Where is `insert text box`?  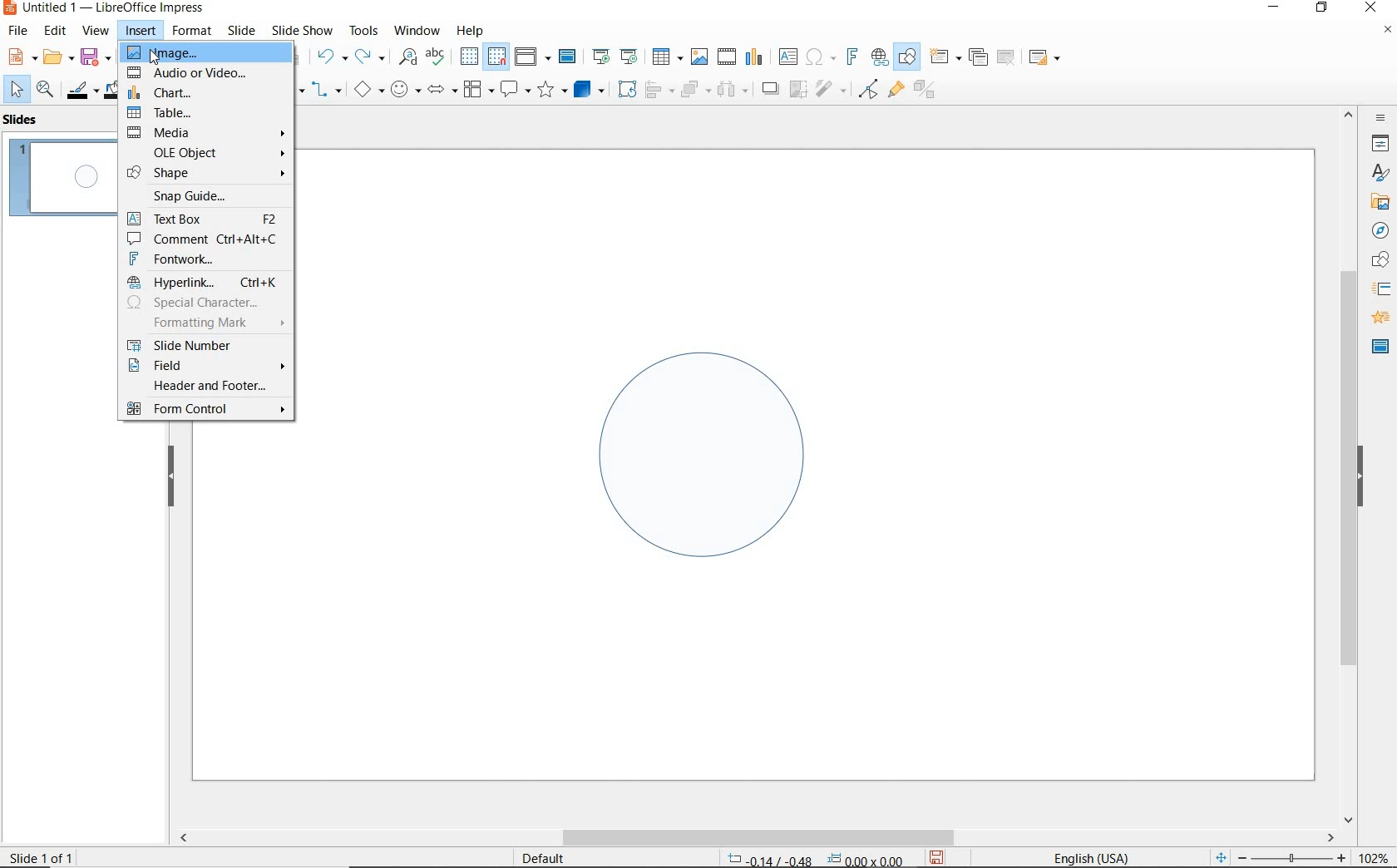 insert text box is located at coordinates (787, 57).